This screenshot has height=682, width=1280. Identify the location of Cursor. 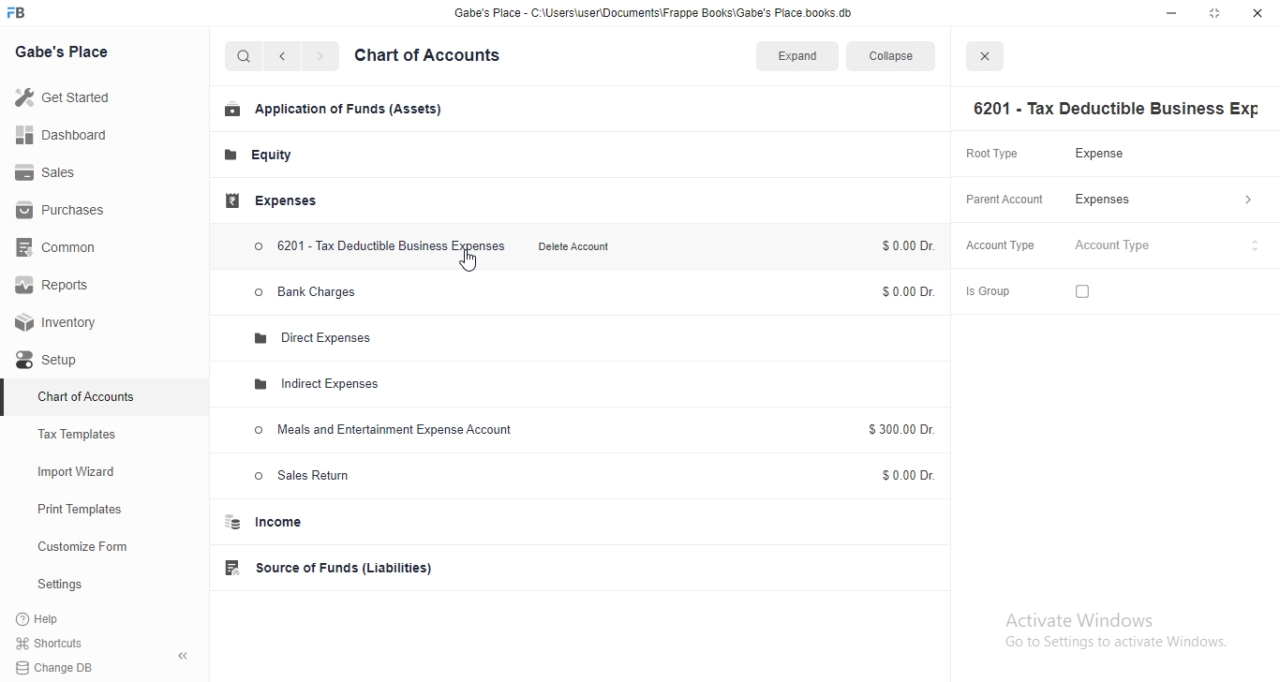
(463, 256).